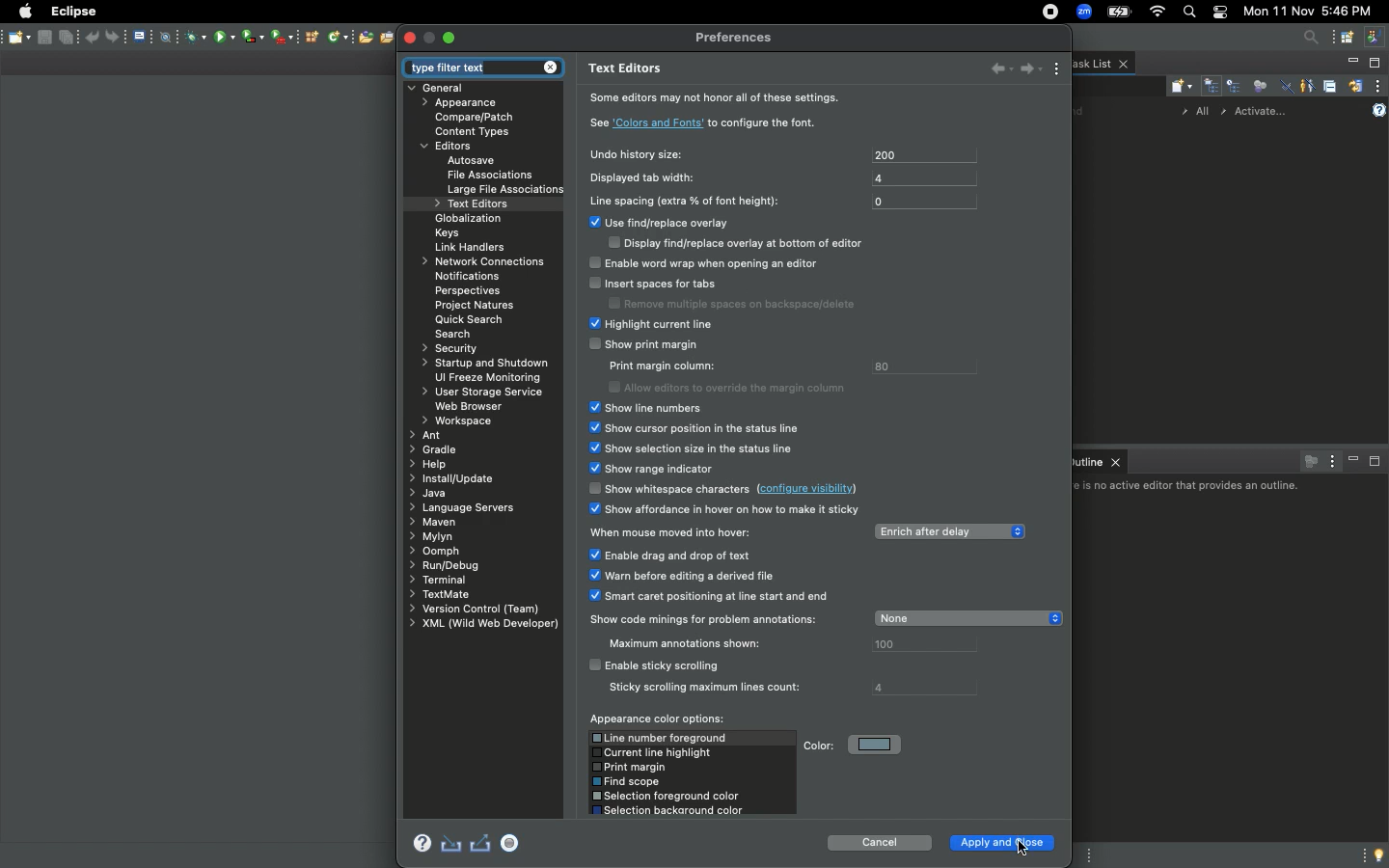 This screenshot has width=1389, height=868. Describe the element at coordinates (1211, 85) in the screenshot. I see `Categorized` at that location.